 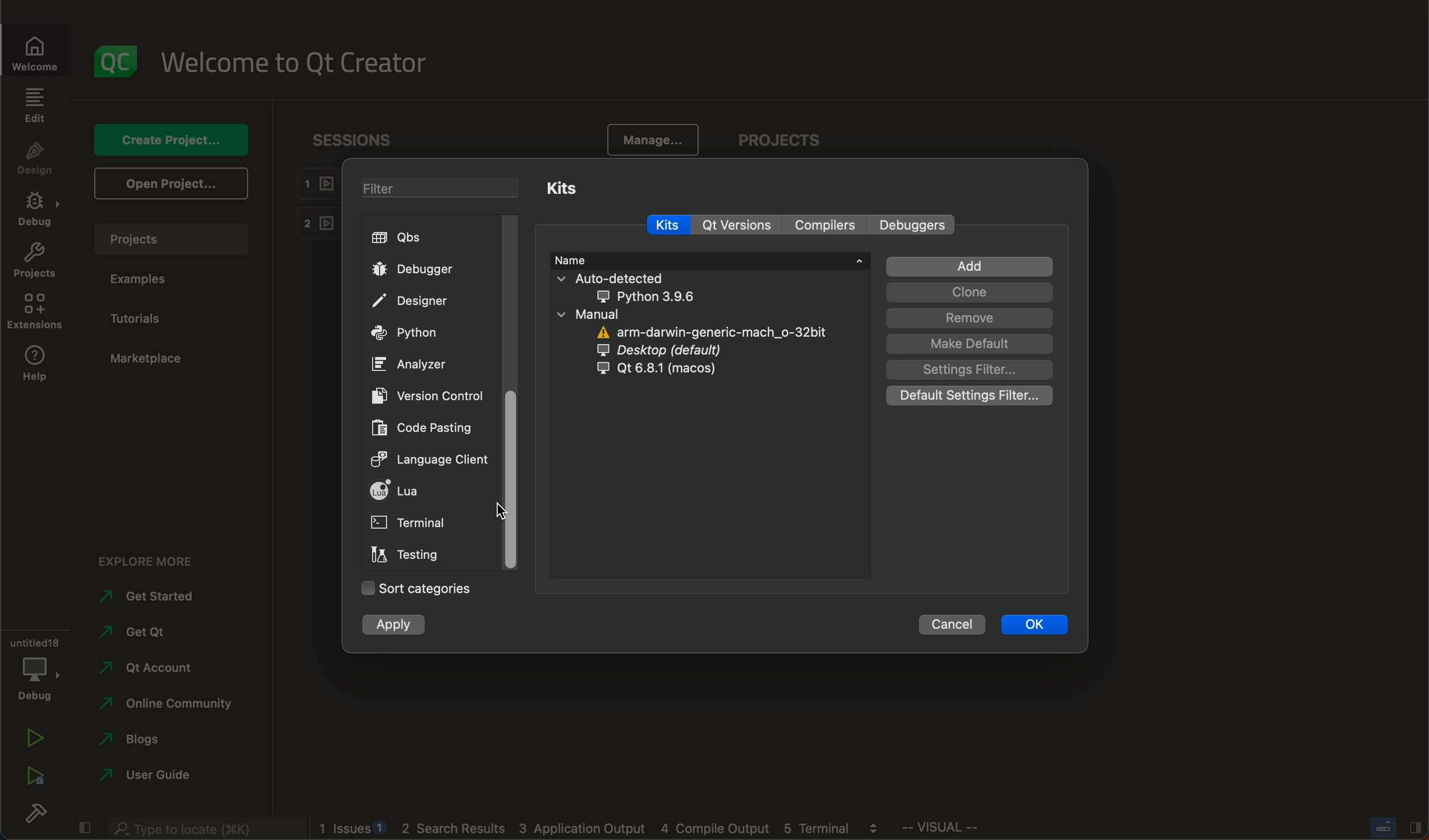 I want to click on get qt, so click(x=164, y=632).